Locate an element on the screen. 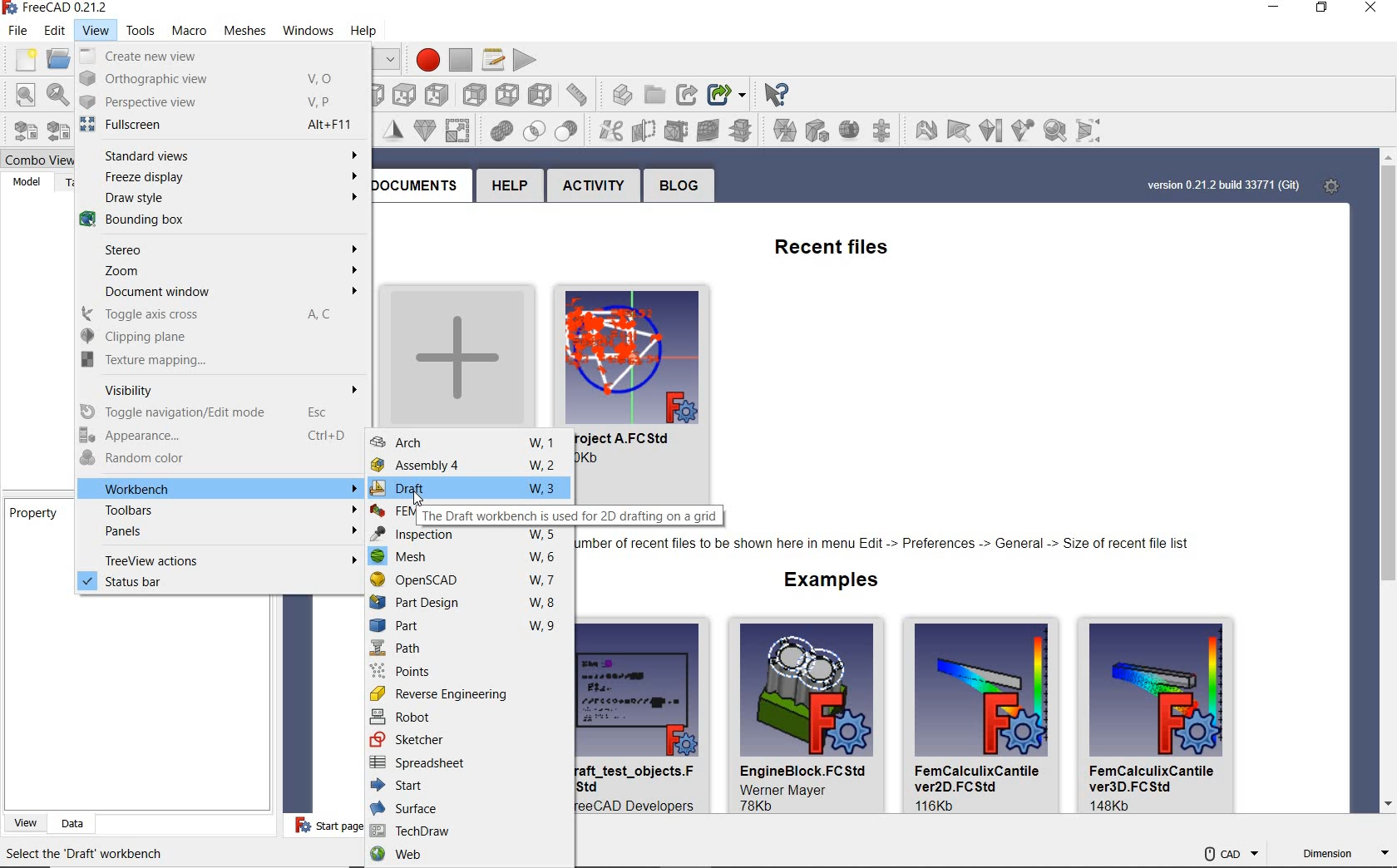 The height and width of the screenshot is (868, 1397). techdraw is located at coordinates (466, 831).